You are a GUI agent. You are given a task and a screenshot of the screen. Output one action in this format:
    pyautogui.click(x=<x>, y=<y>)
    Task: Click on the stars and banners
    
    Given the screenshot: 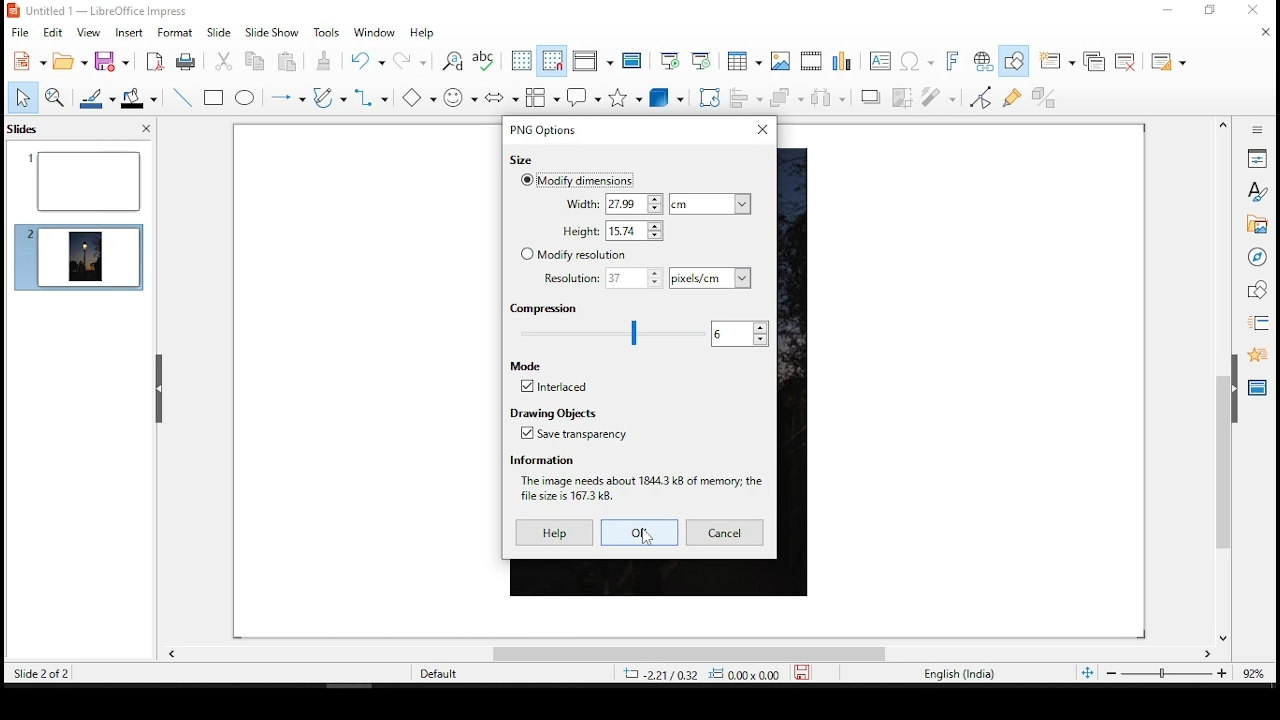 What is the action you would take?
    pyautogui.click(x=623, y=99)
    